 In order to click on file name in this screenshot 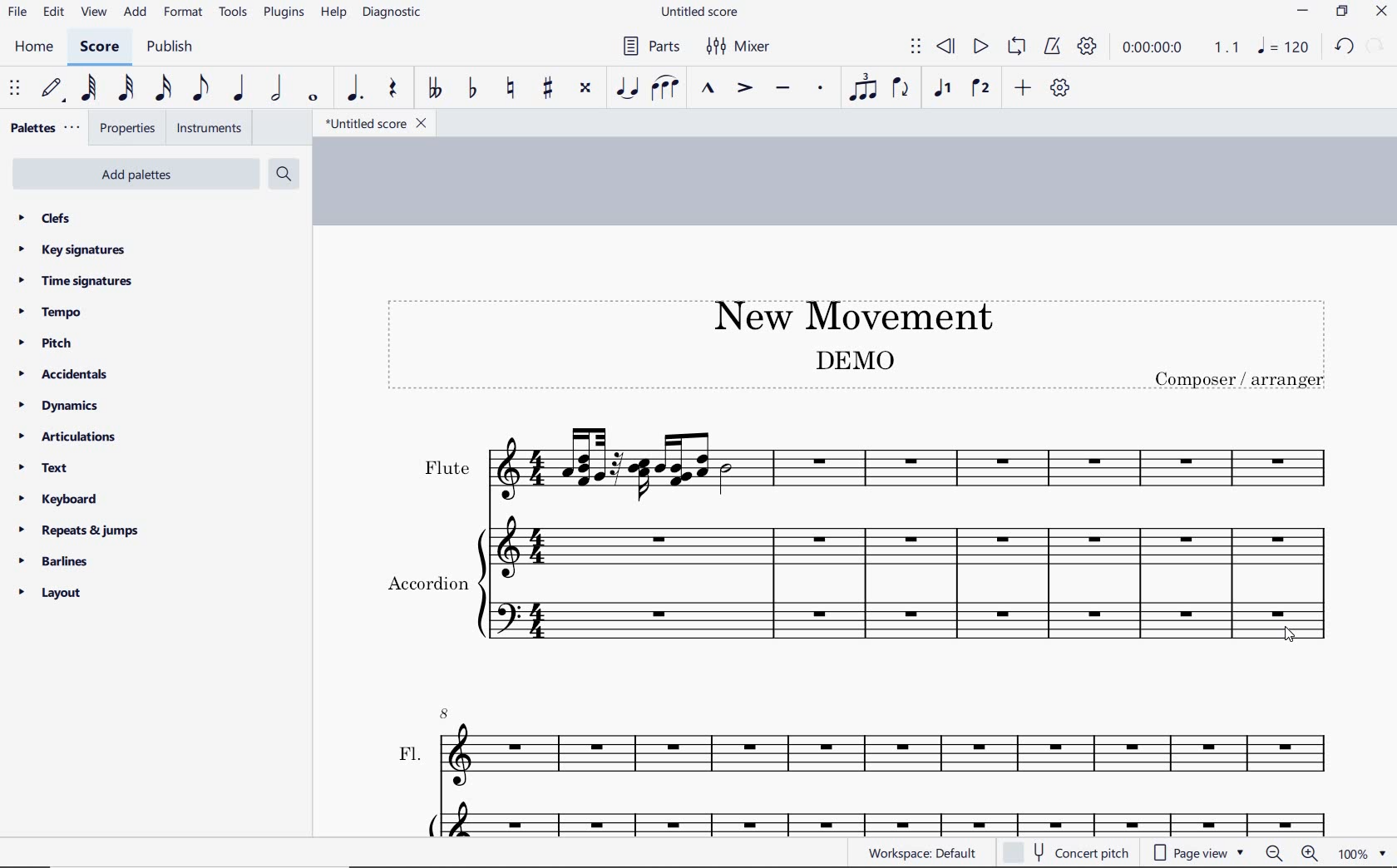, I will do `click(374, 124)`.